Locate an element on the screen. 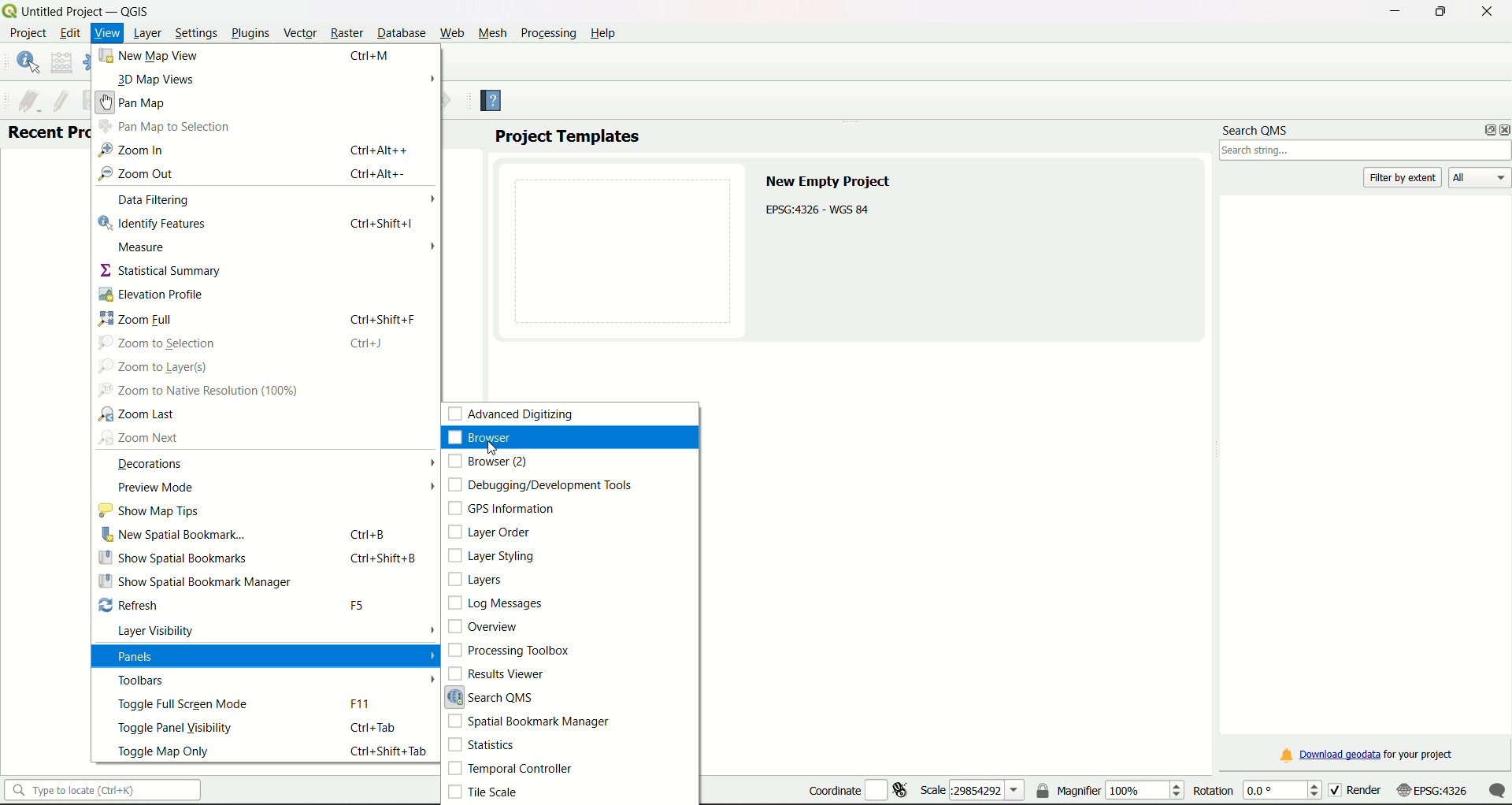  ctrl+shift+tab is located at coordinates (389, 751).